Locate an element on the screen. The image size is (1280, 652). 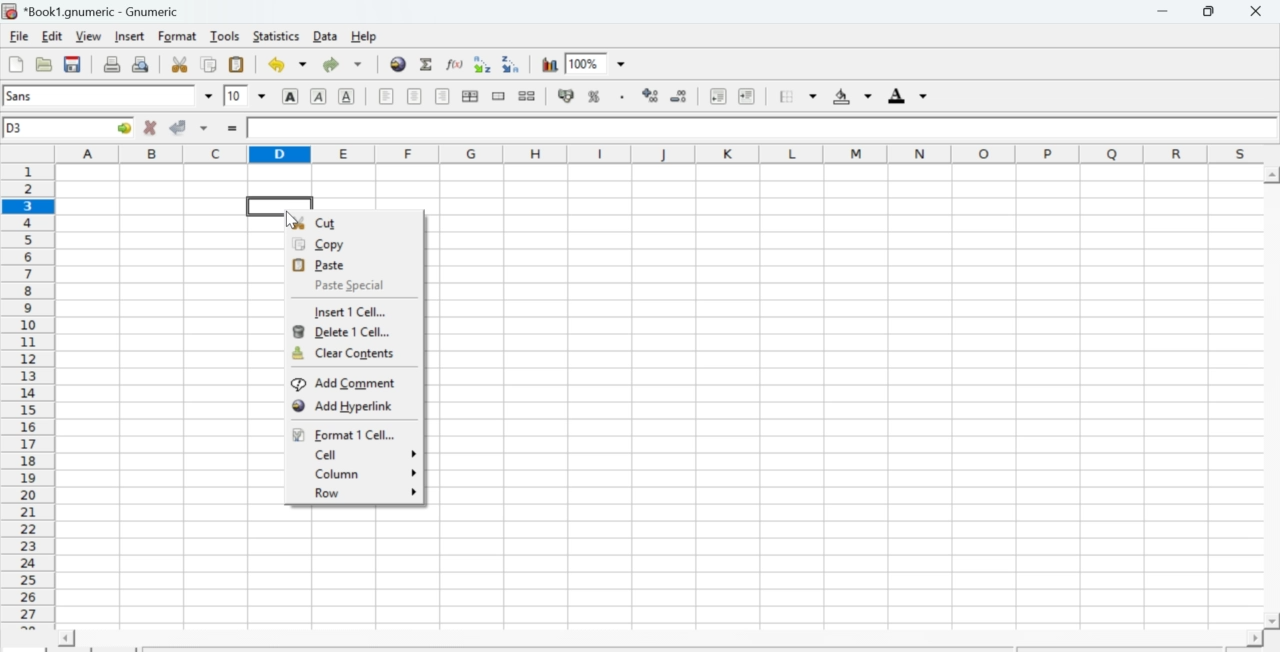
Tools is located at coordinates (227, 37).